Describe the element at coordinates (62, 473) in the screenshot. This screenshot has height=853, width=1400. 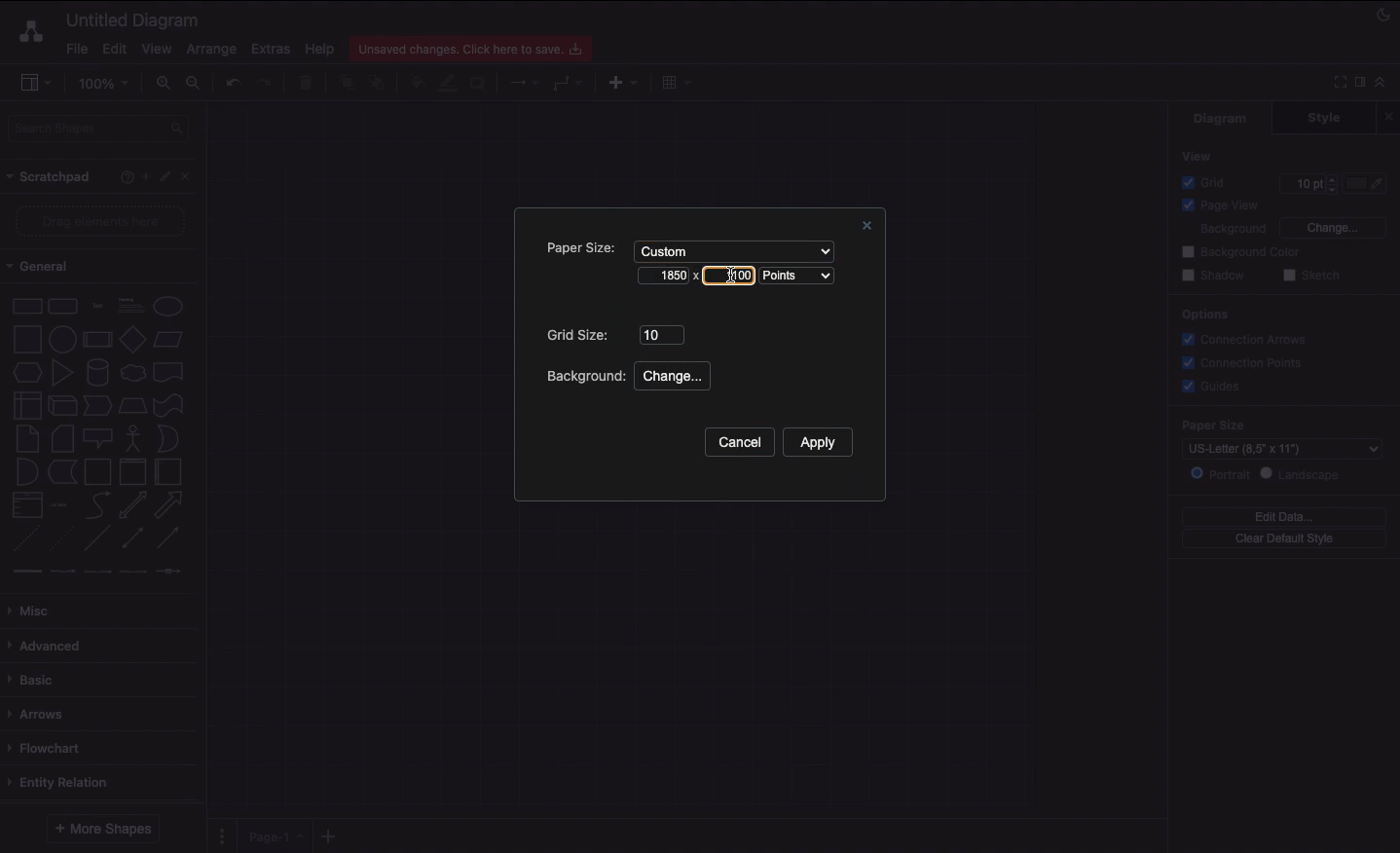
I see `Data storage` at that location.